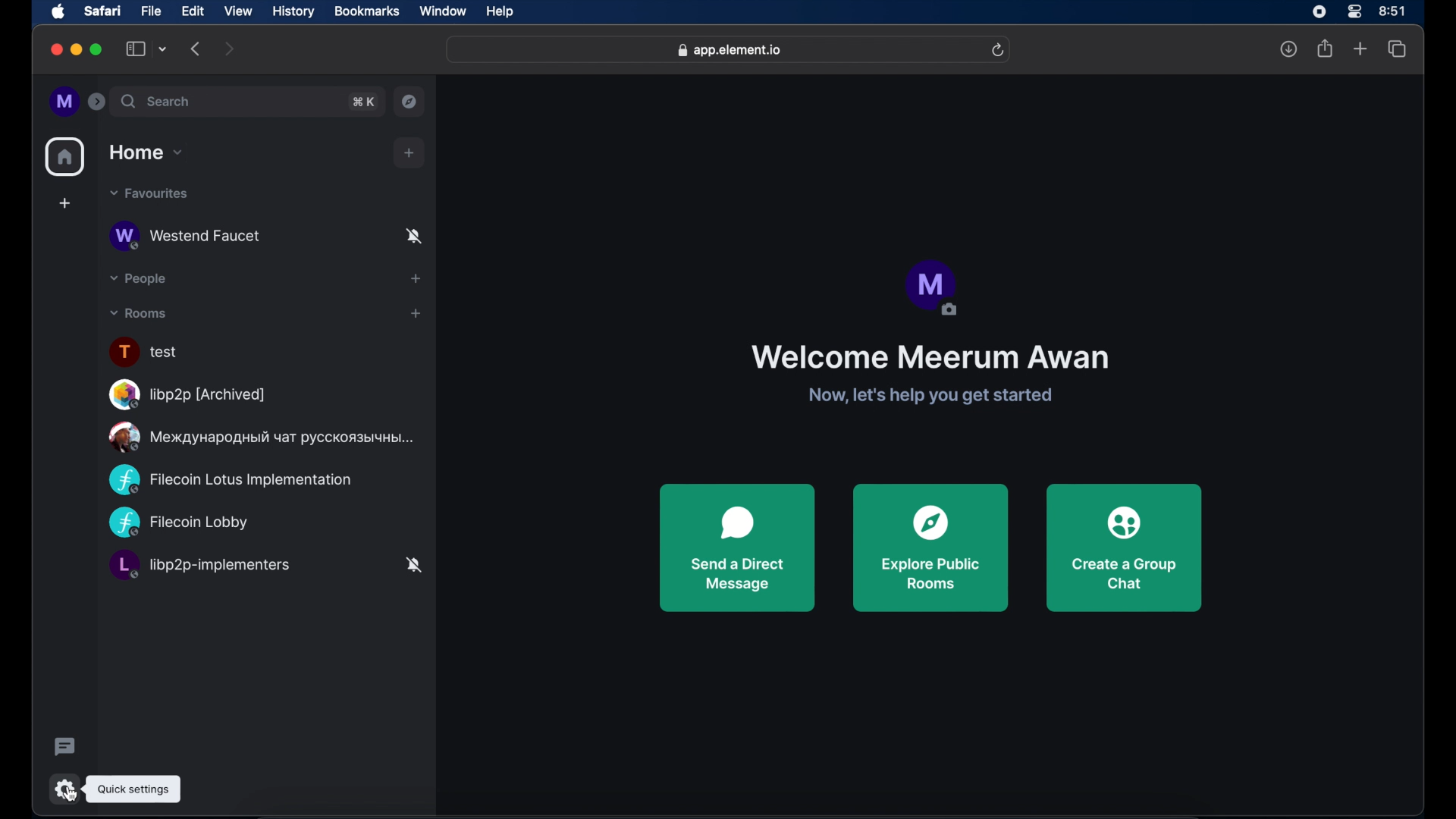 The height and width of the screenshot is (819, 1456). I want to click on Quick settings icon box, so click(133, 789).